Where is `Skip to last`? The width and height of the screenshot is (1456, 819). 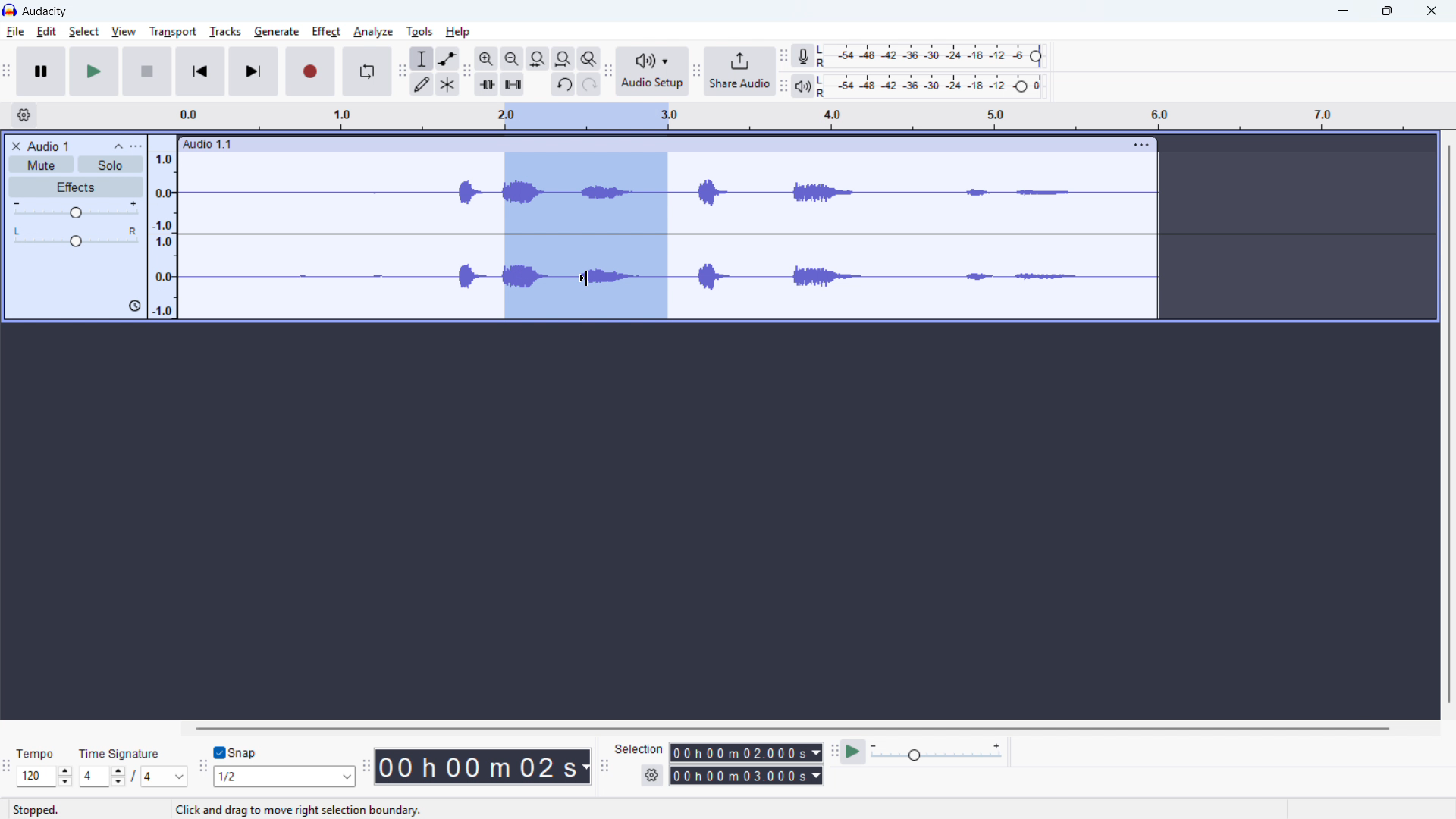
Skip to last is located at coordinates (254, 72).